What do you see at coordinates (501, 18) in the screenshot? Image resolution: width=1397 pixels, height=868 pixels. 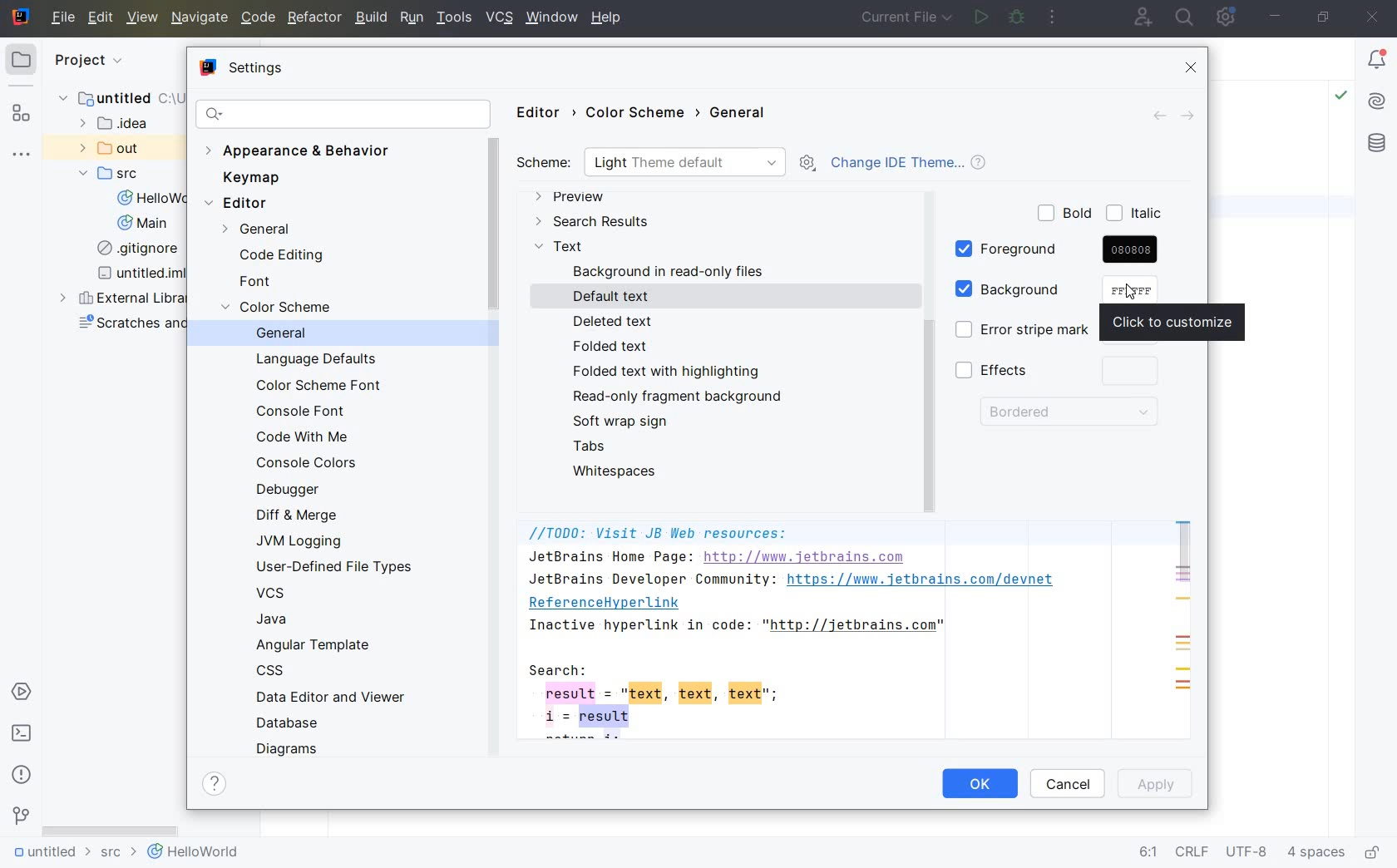 I see `VCS` at bounding box center [501, 18].